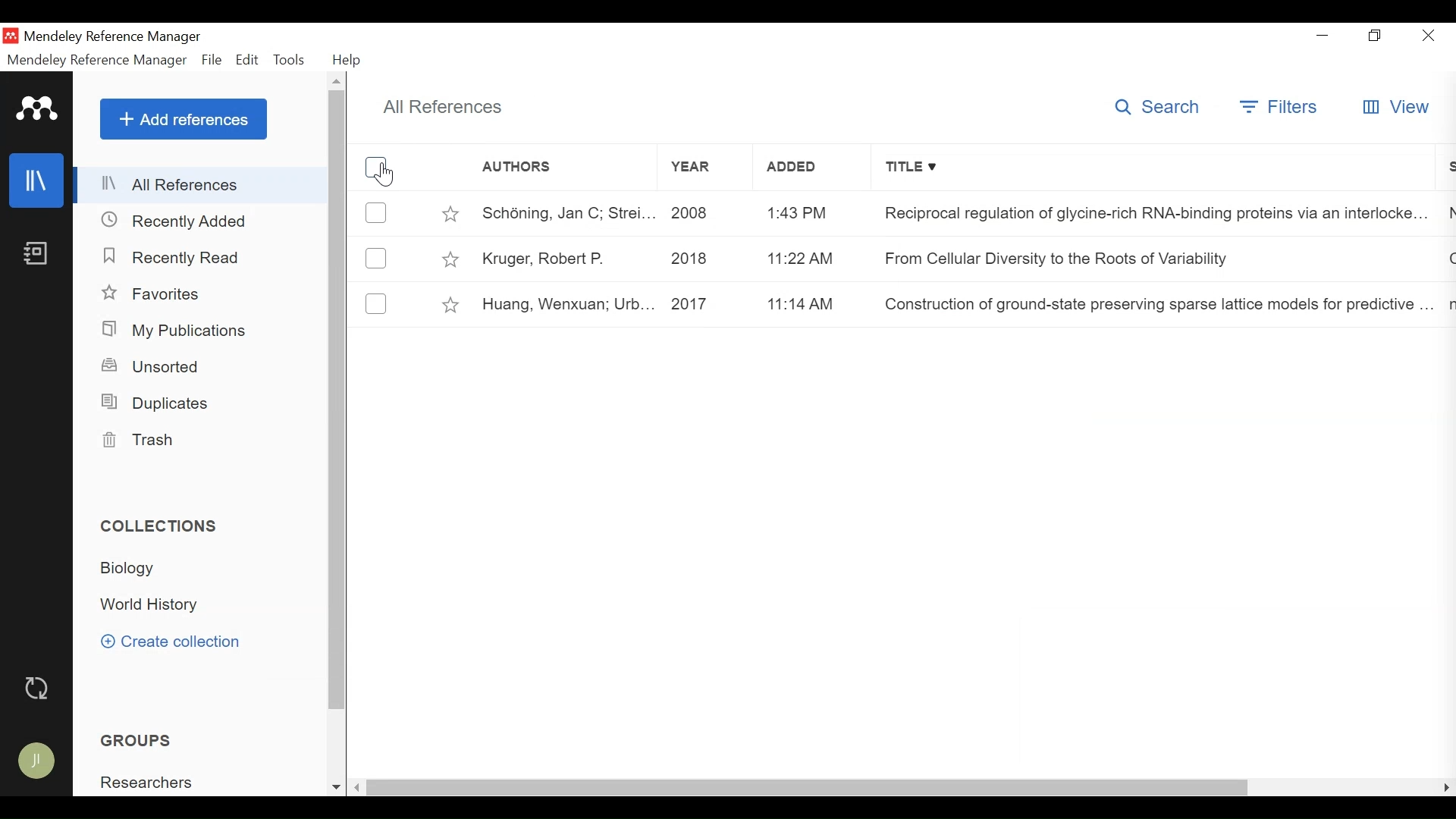  I want to click on Huang, Wenxuan; Urb..., so click(567, 303).